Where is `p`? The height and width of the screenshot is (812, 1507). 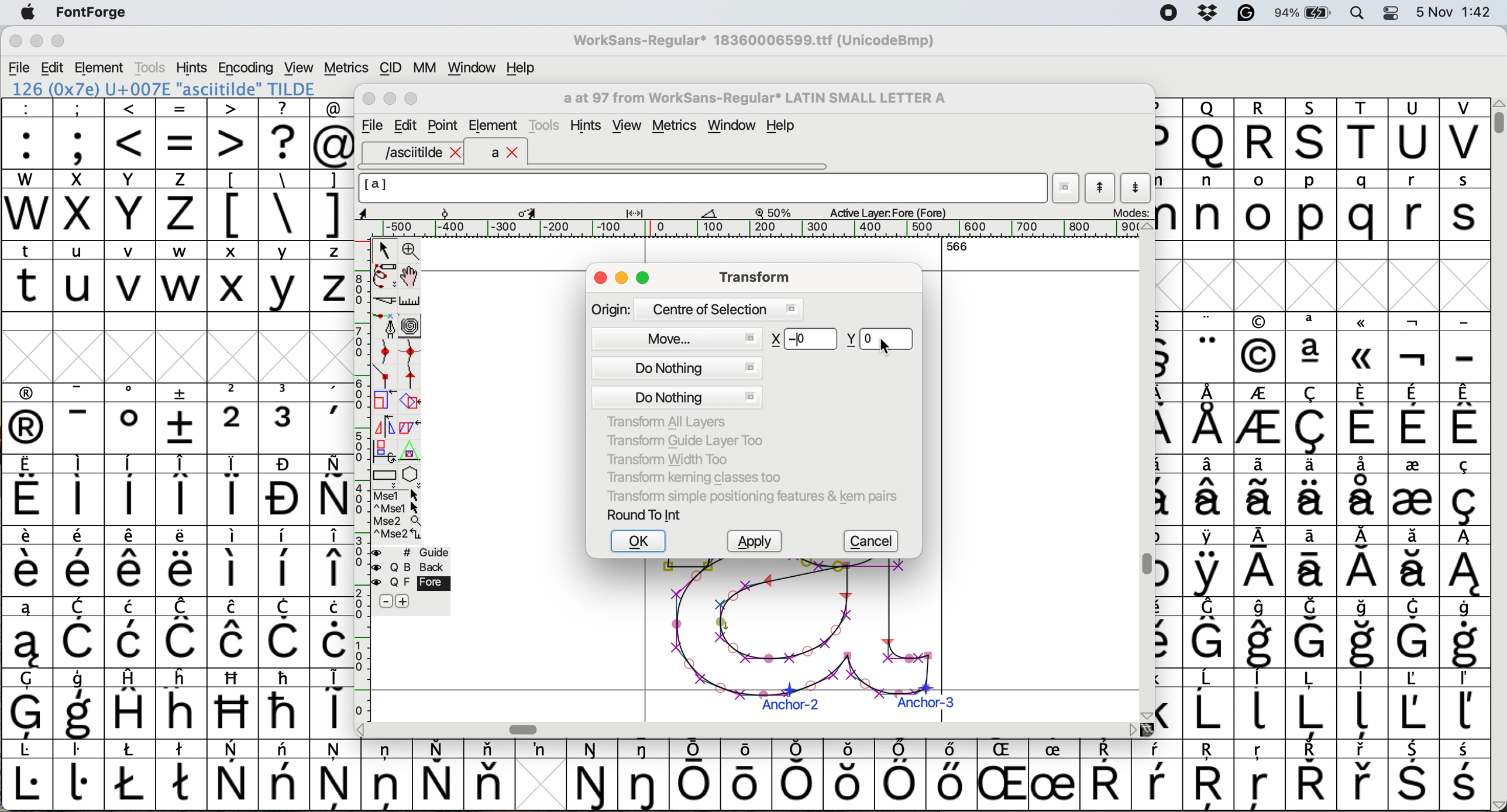 p is located at coordinates (1312, 207).